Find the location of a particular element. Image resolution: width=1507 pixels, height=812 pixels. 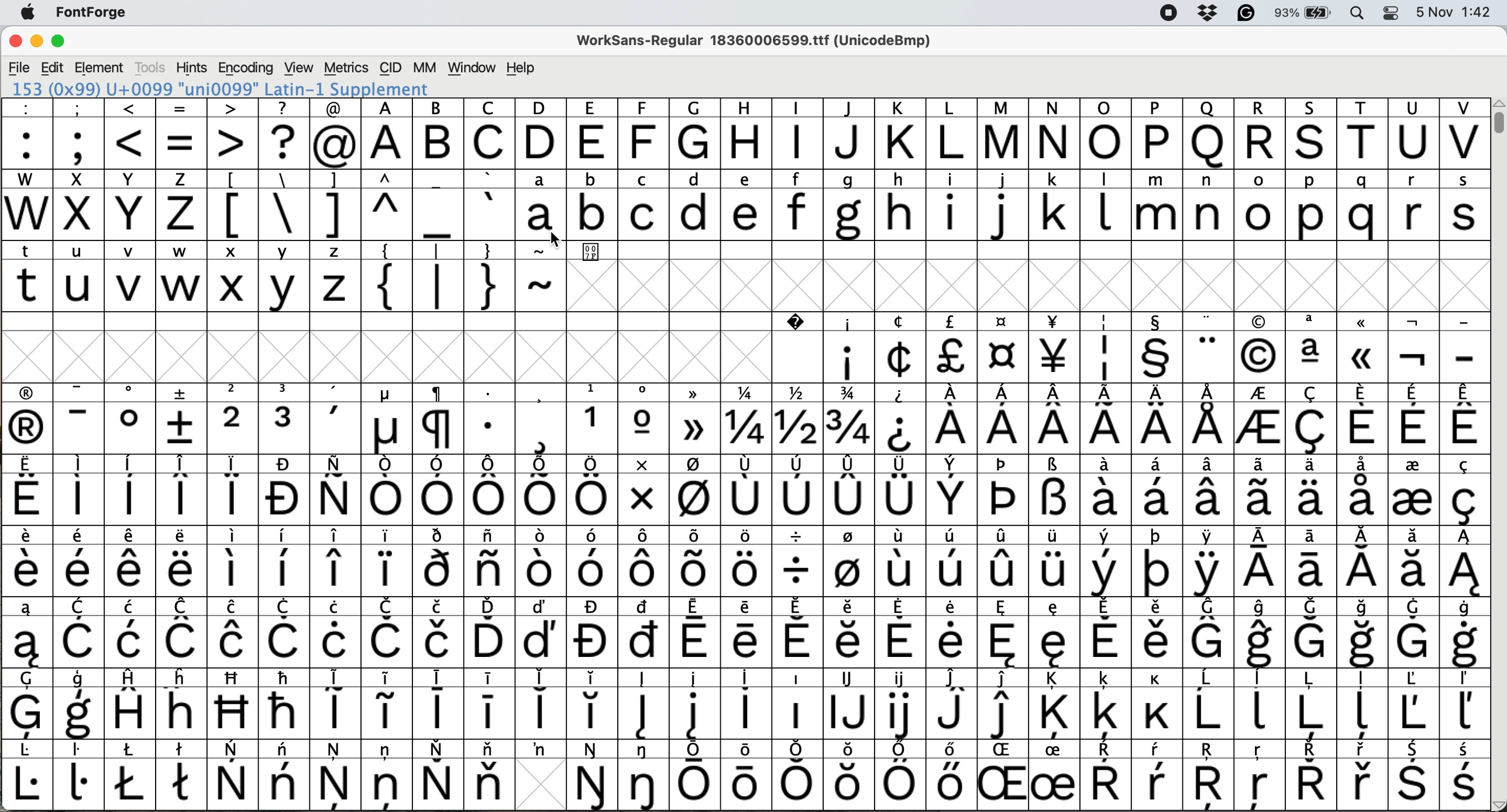

symbol is located at coordinates (1211, 490).